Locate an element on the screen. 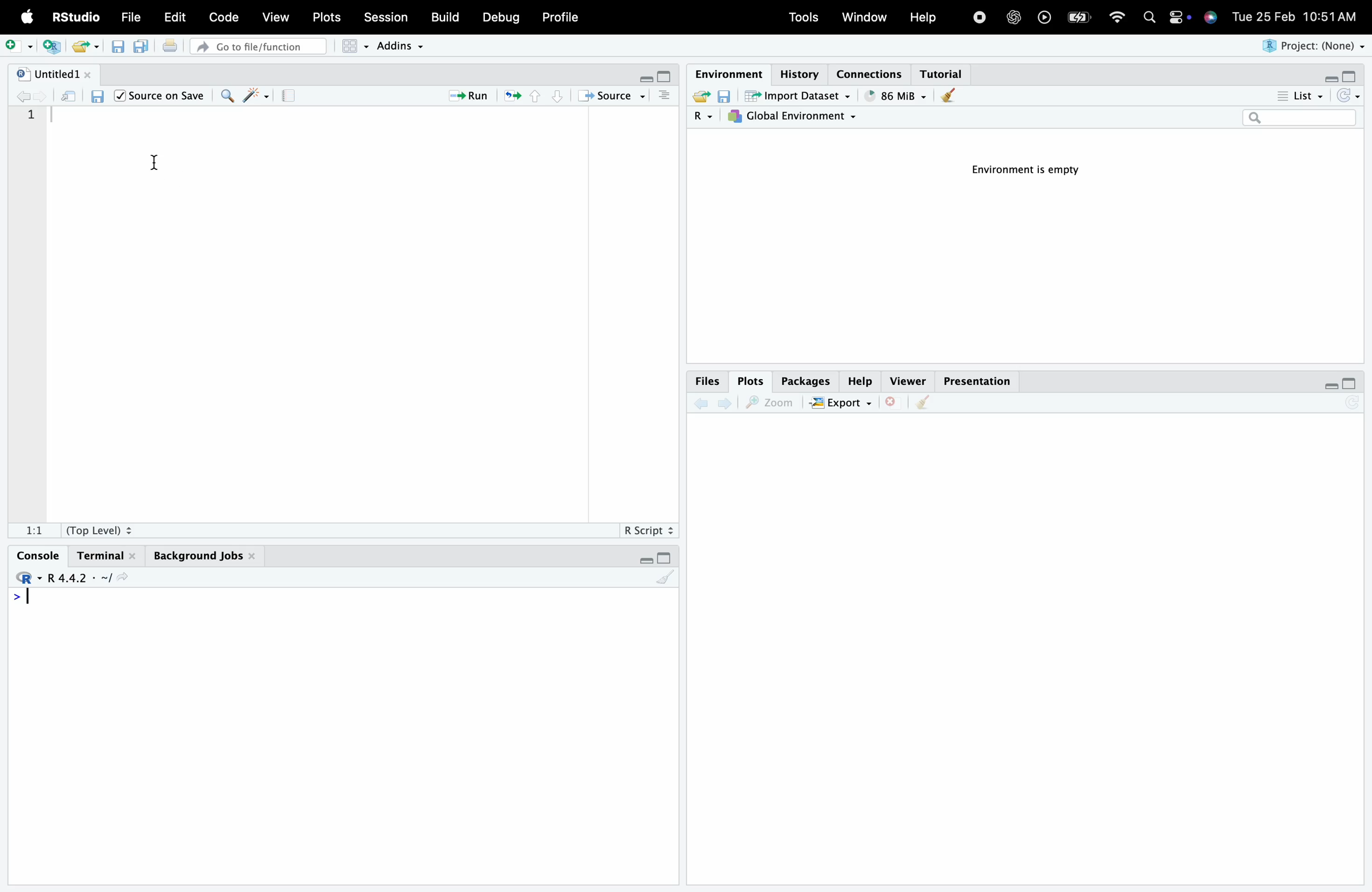 The image size is (1372, 892). close is located at coordinates (894, 410).